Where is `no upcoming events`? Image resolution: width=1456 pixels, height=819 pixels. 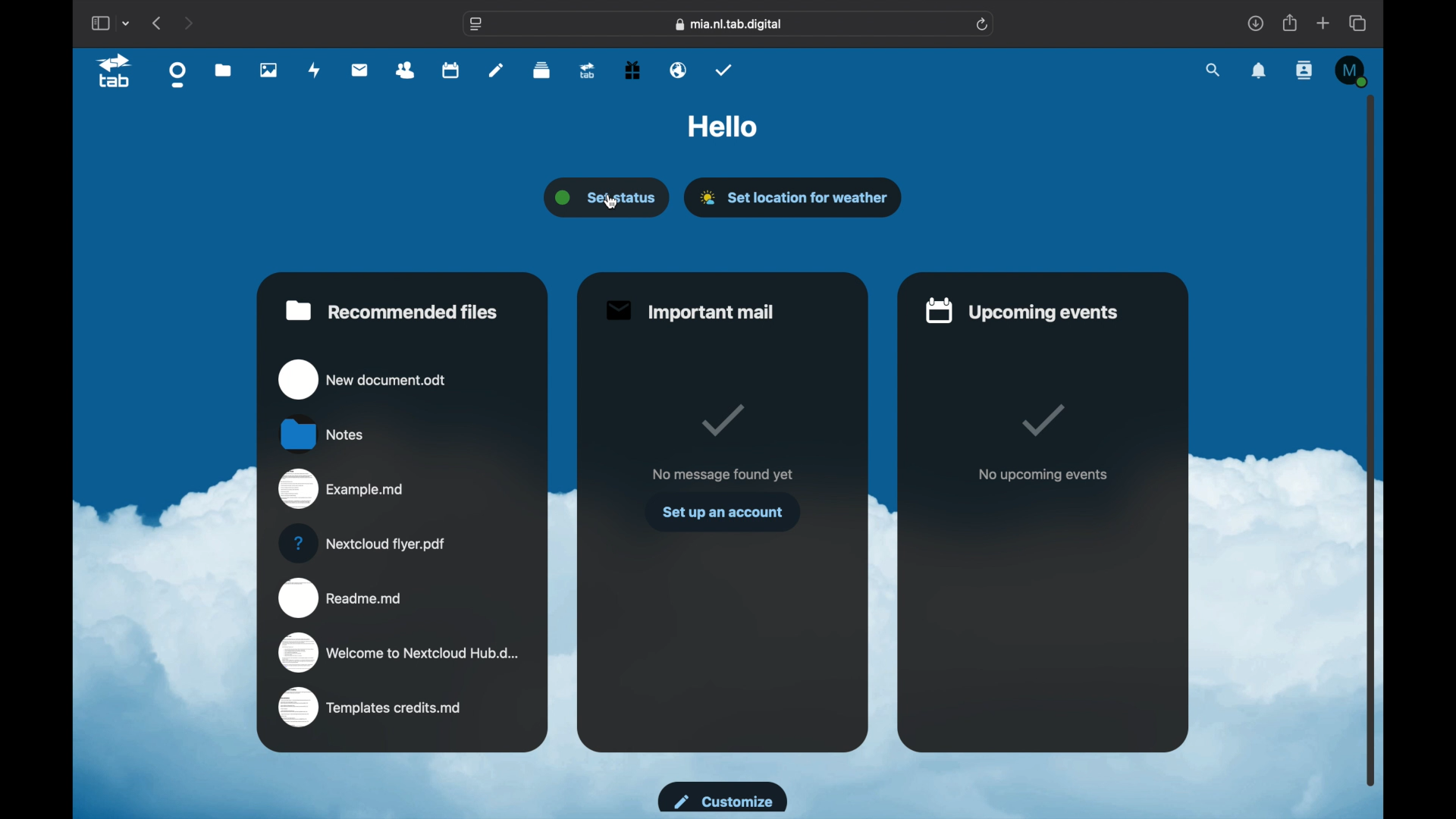 no upcoming events is located at coordinates (1043, 475).